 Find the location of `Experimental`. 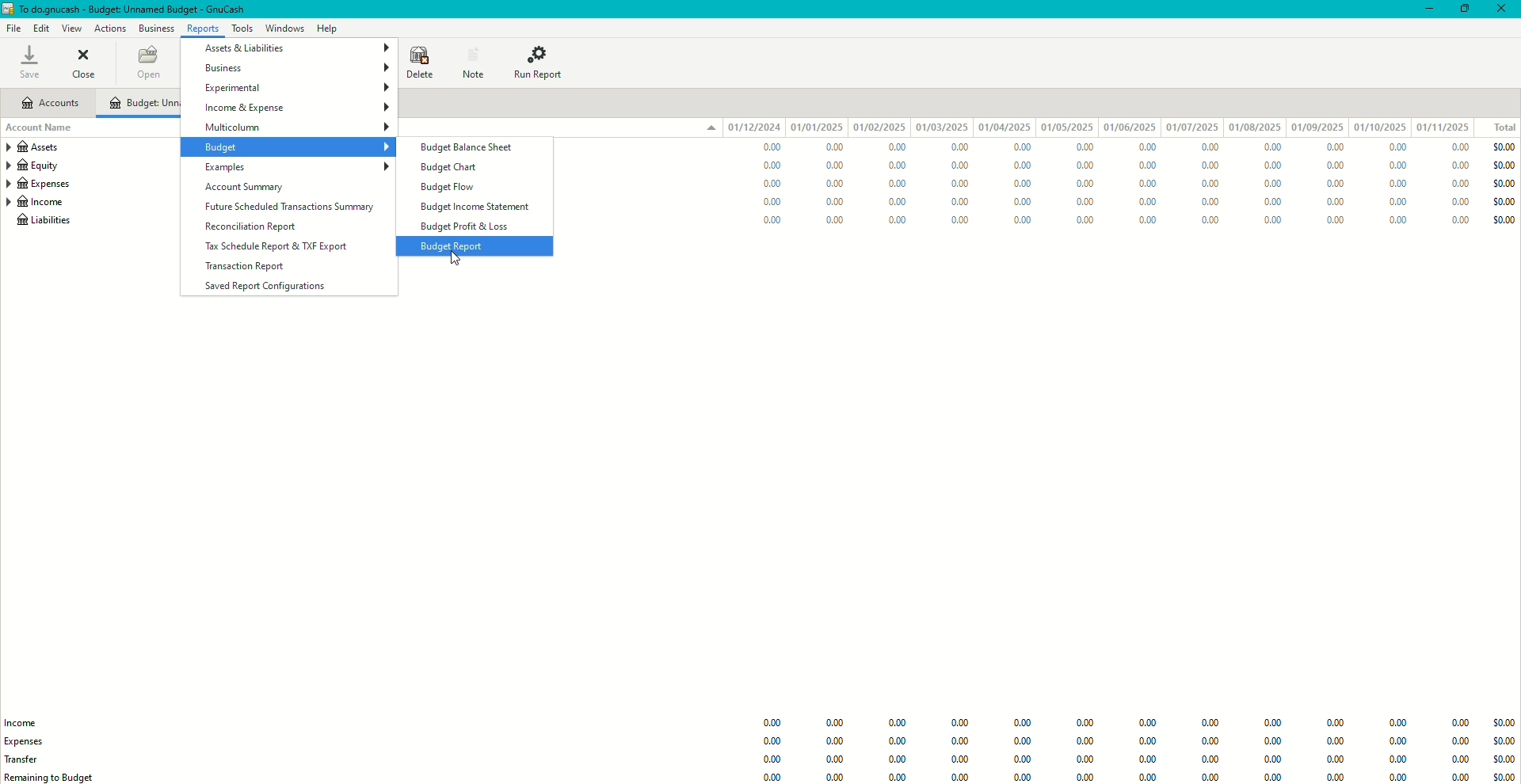

Experimental is located at coordinates (295, 88).